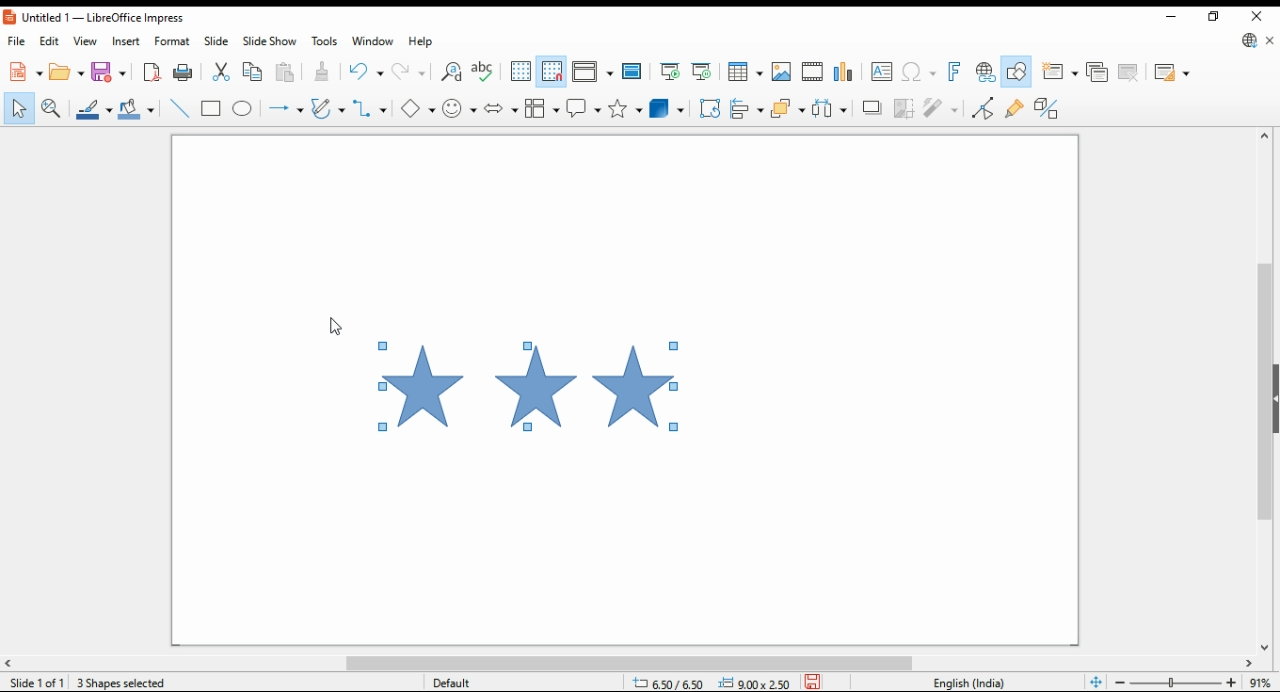  What do you see at coordinates (112, 681) in the screenshot?
I see `Mark Objects` at bounding box center [112, 681].